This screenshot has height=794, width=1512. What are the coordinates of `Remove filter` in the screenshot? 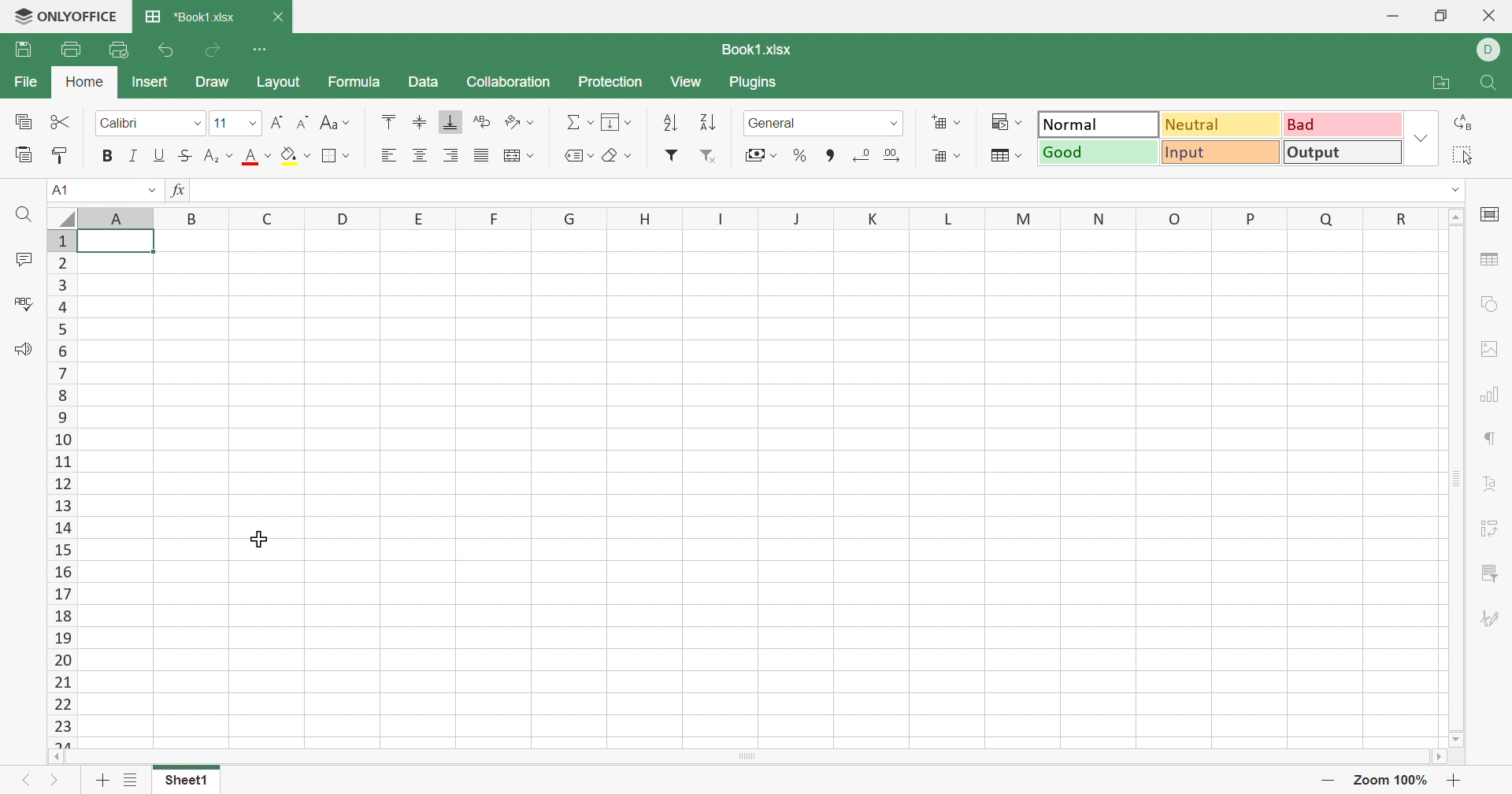 It's located at (712, 157).